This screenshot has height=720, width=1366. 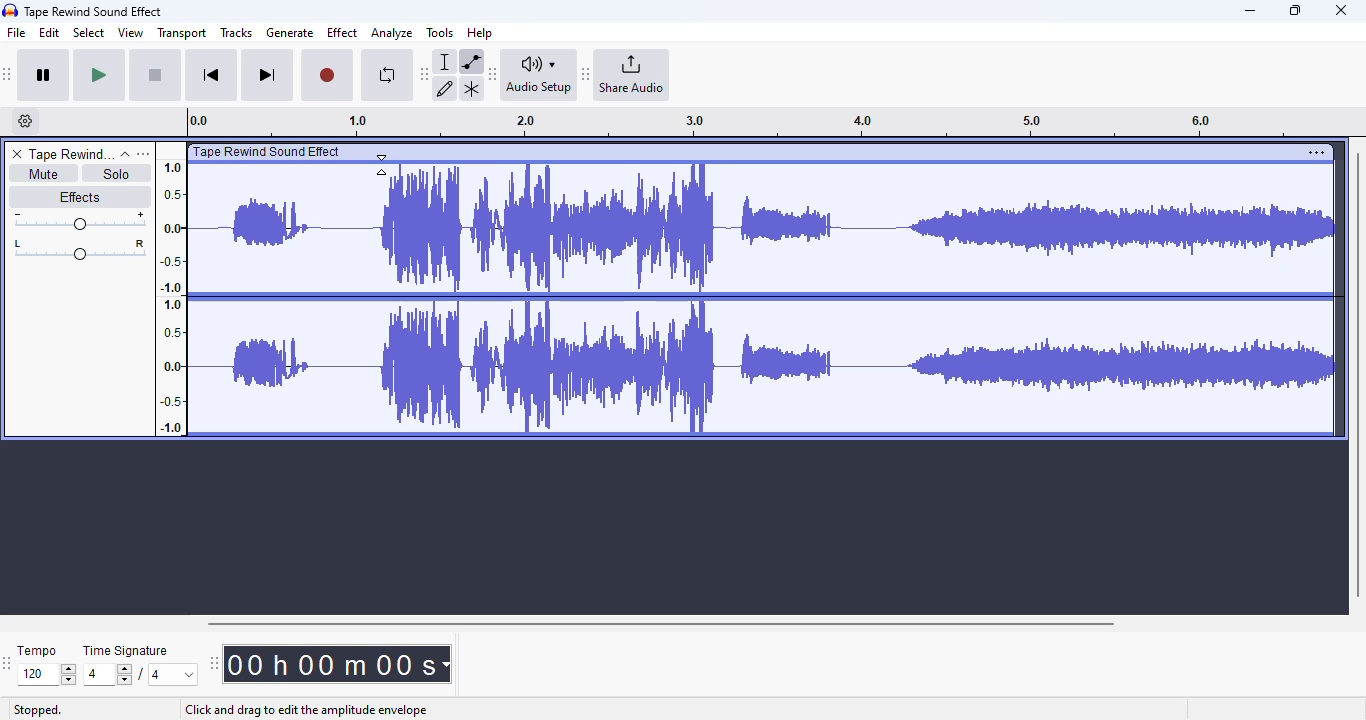 What do you see at coordinates (79, 196) in the screenshot?
I see `effects` at bounding box center [79, 196].